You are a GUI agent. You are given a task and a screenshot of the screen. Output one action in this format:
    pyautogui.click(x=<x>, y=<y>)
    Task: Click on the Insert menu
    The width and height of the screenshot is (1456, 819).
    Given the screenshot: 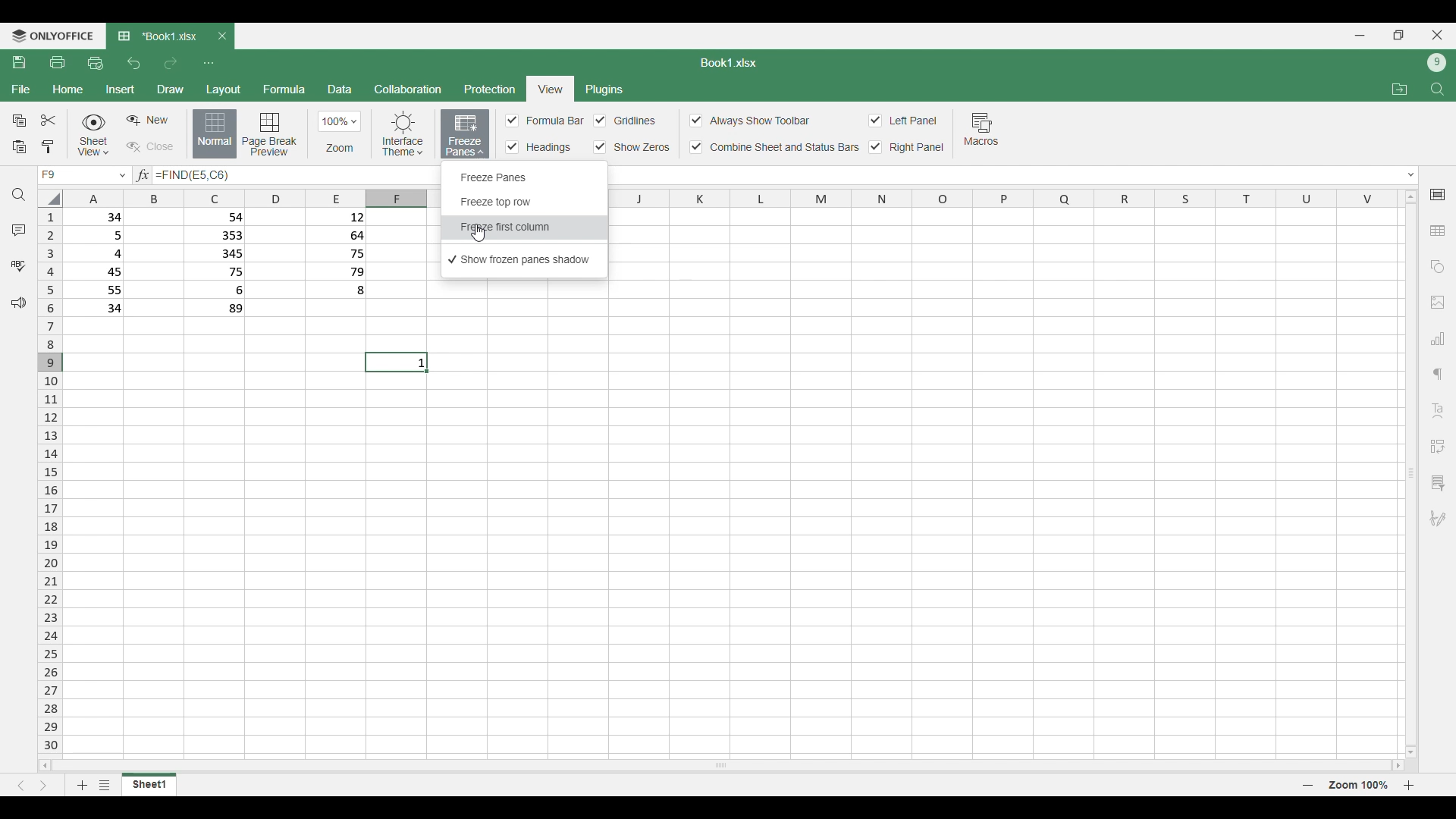 What is the action you would take?
    pyautogui.click(x=119, y=90)
    